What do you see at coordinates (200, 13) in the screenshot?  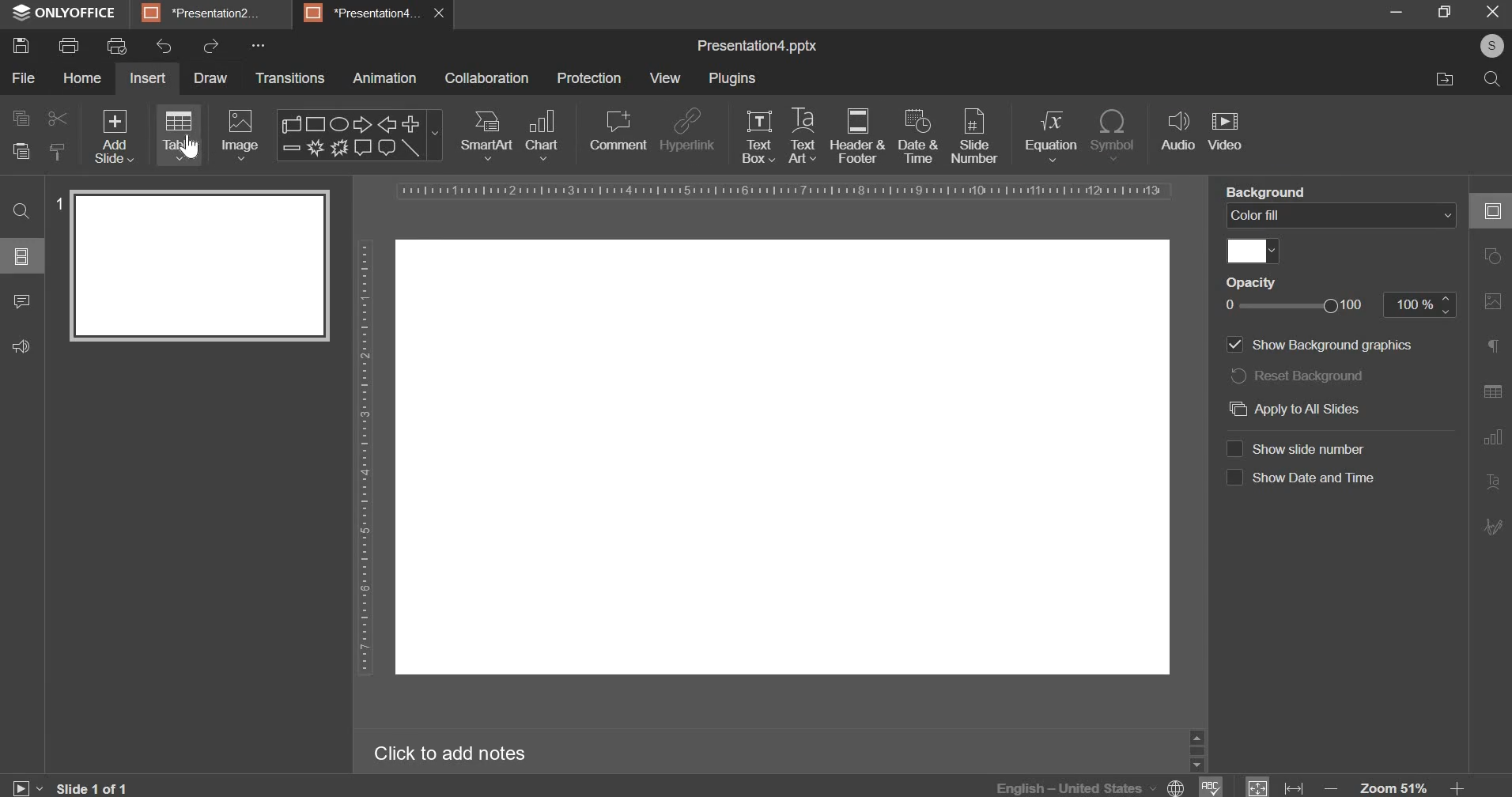 I see `presentation2` at bounding box center [200, 13].